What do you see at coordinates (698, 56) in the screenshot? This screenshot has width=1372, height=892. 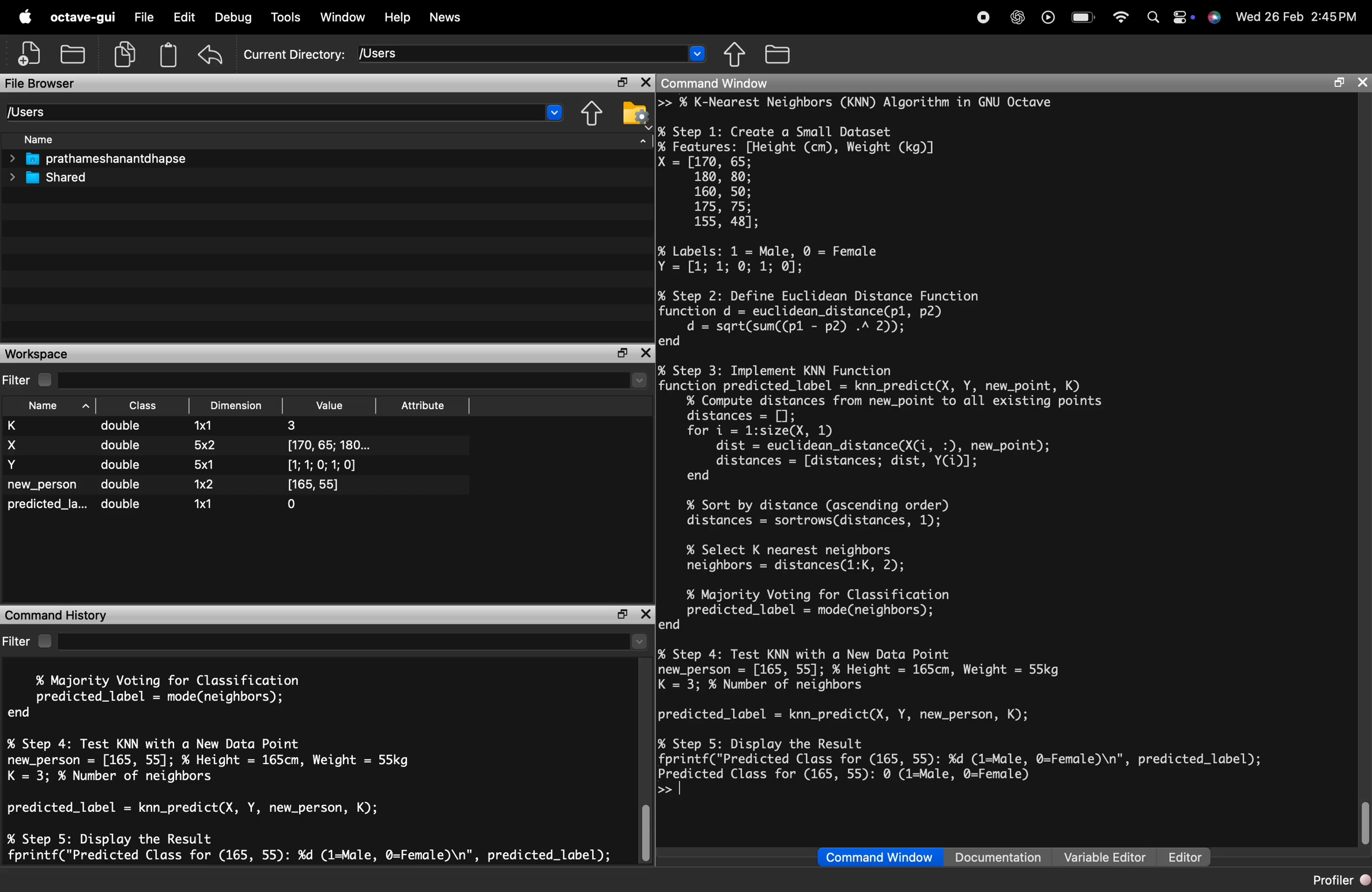 I see `dropdown` at bounding box center [698, 56].